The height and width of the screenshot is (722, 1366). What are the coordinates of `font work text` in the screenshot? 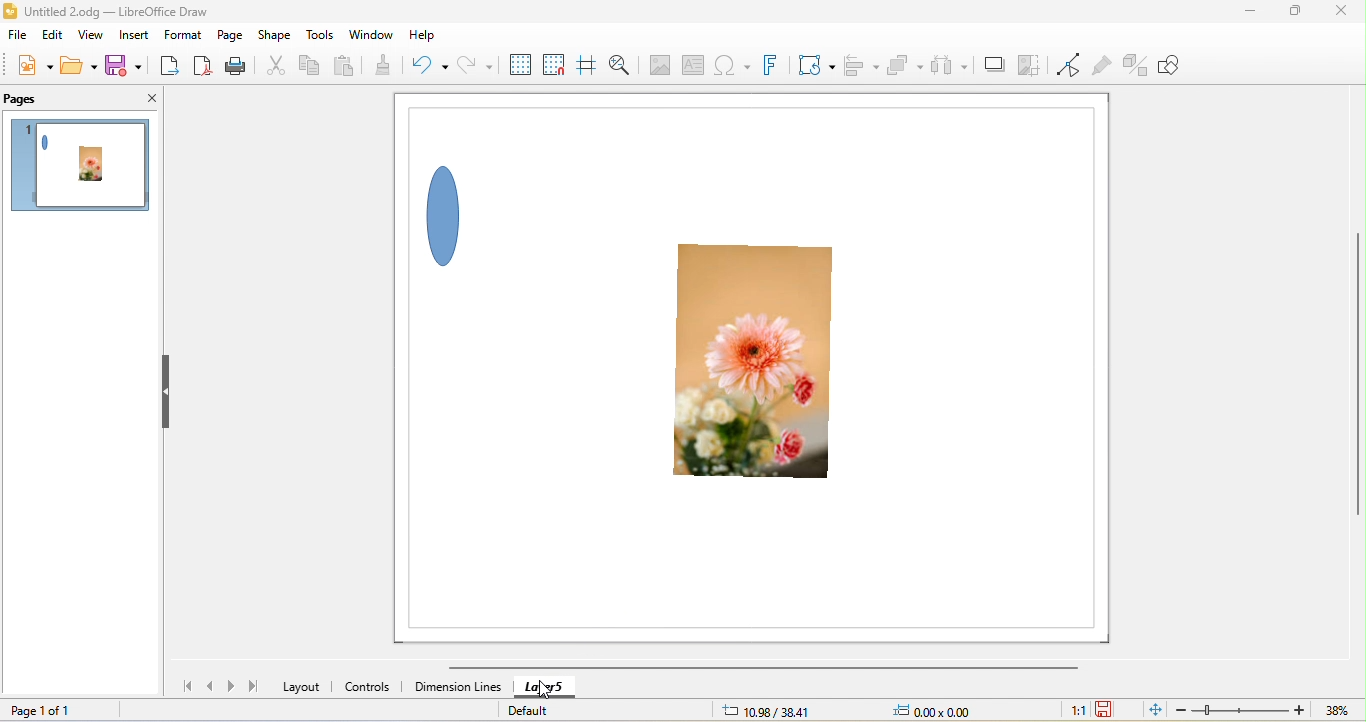 It's located at (775, 65).